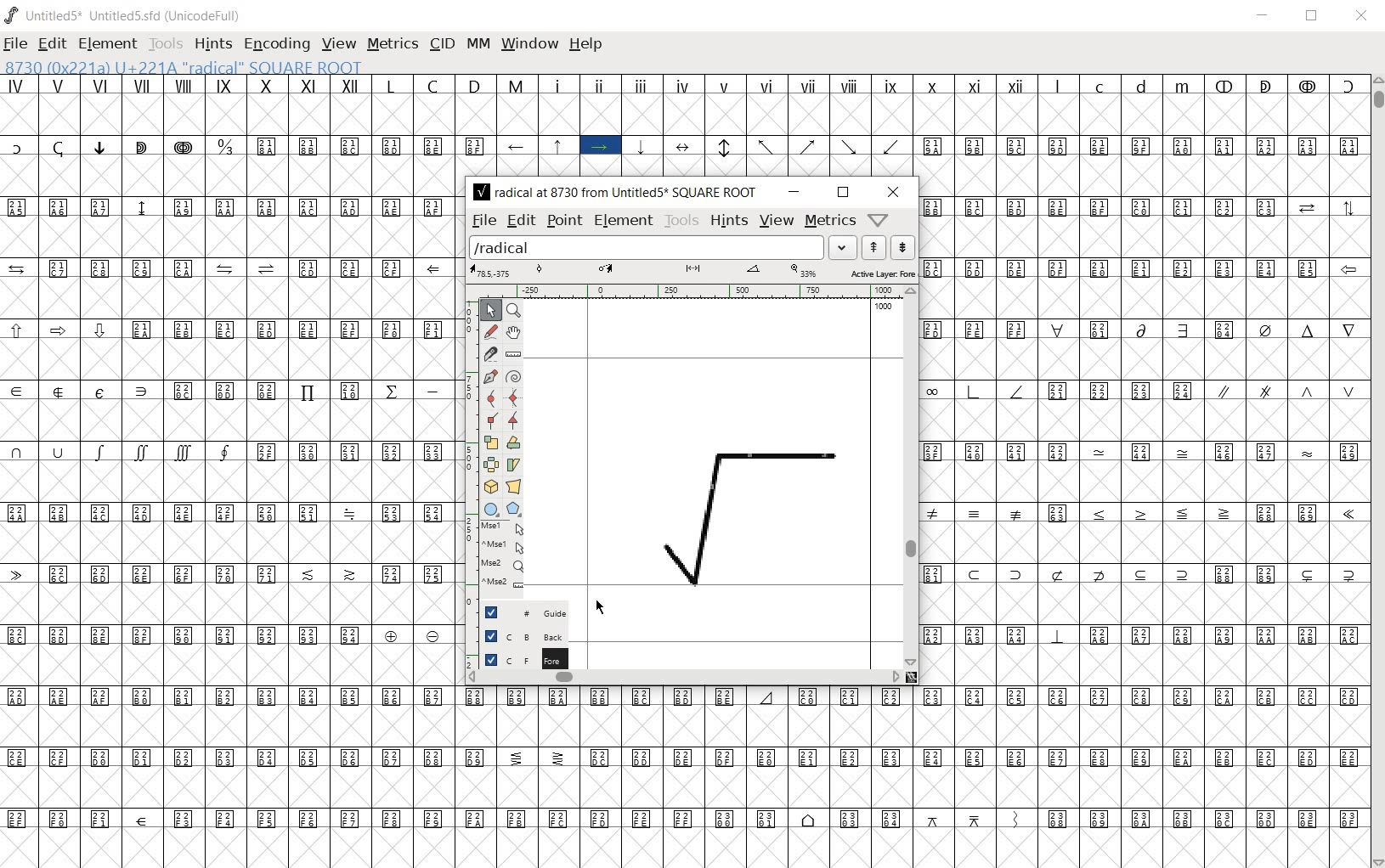  Describe the element at coordinates (513, 330) in the screenshot. I see `scroll by hand` at that location.